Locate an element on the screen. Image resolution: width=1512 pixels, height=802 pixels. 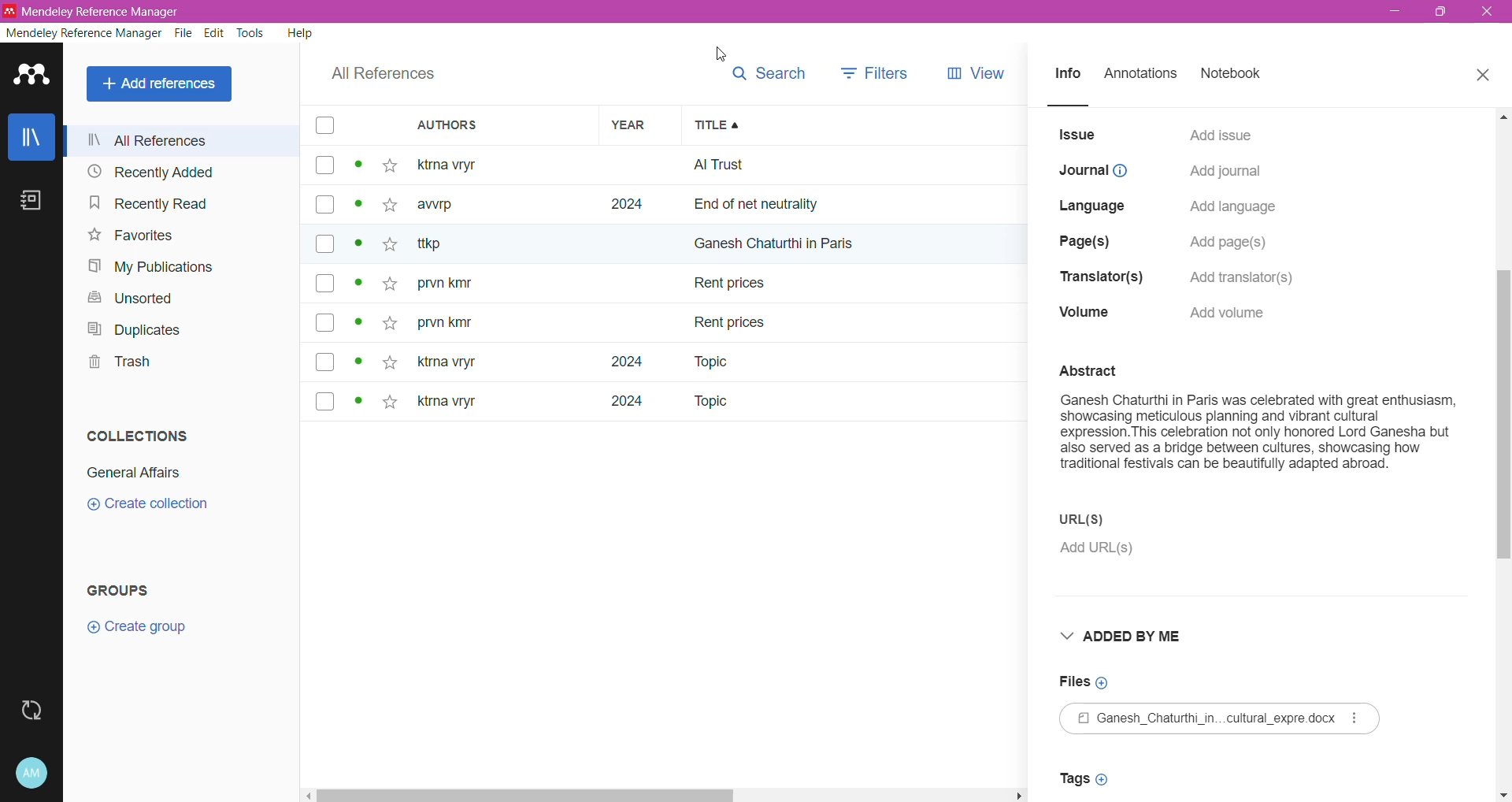
My Publications is located at coordinates (157, 268).